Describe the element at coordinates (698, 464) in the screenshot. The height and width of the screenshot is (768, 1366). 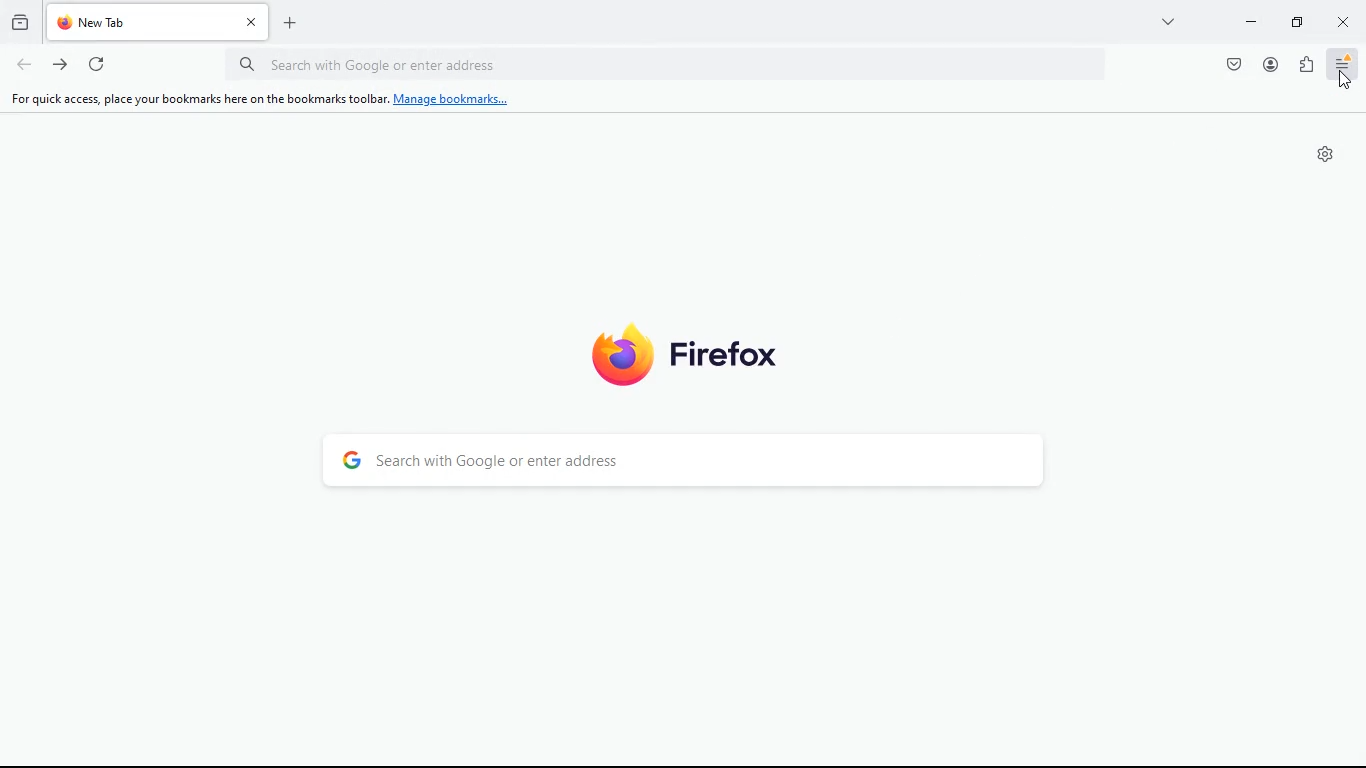
I see `search` at that location.